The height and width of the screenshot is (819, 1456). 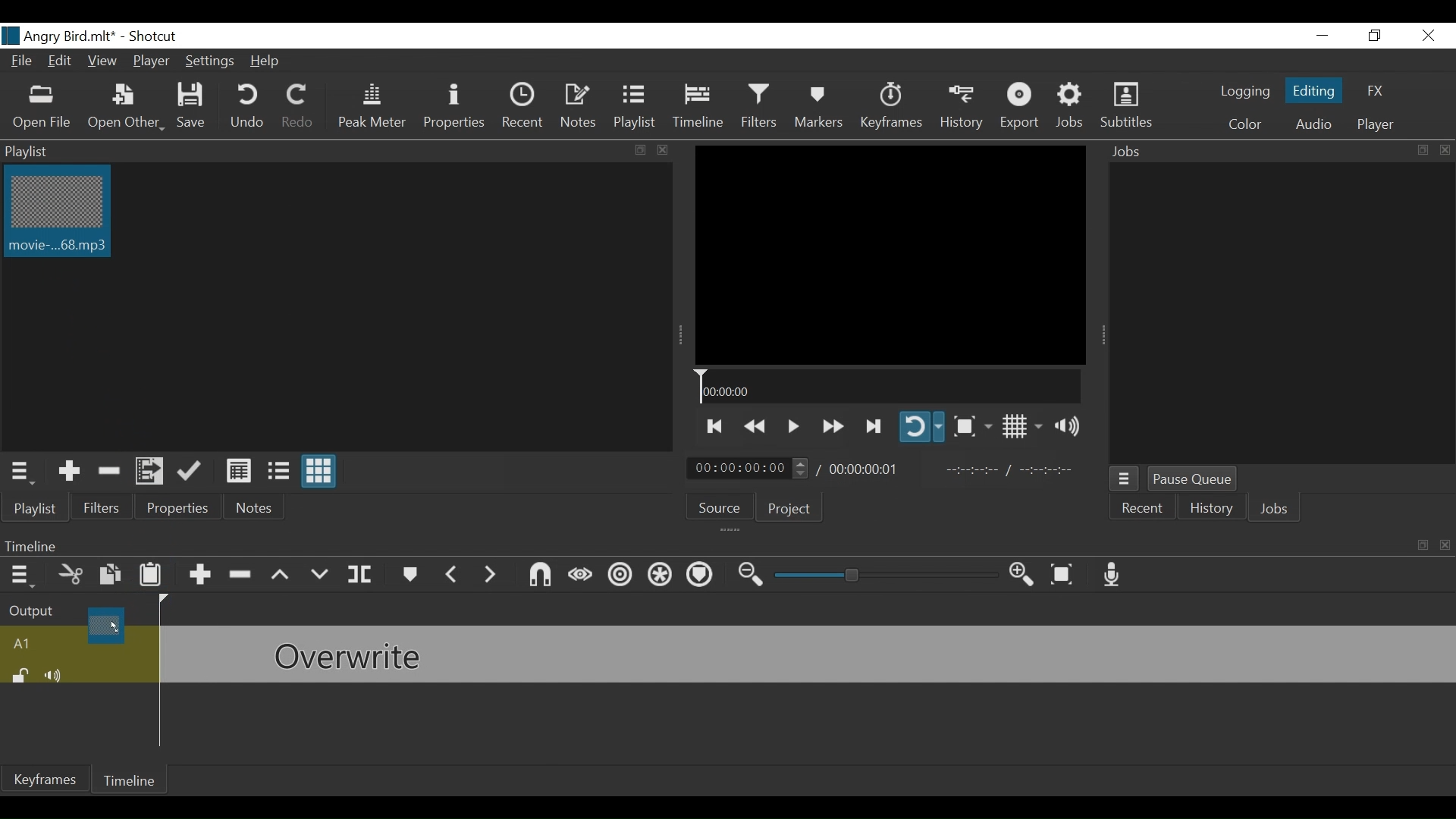 What do you see at coordinates (321, 573) in the screenshot?
I see `Overwrite` at bounding box center [321, 573].